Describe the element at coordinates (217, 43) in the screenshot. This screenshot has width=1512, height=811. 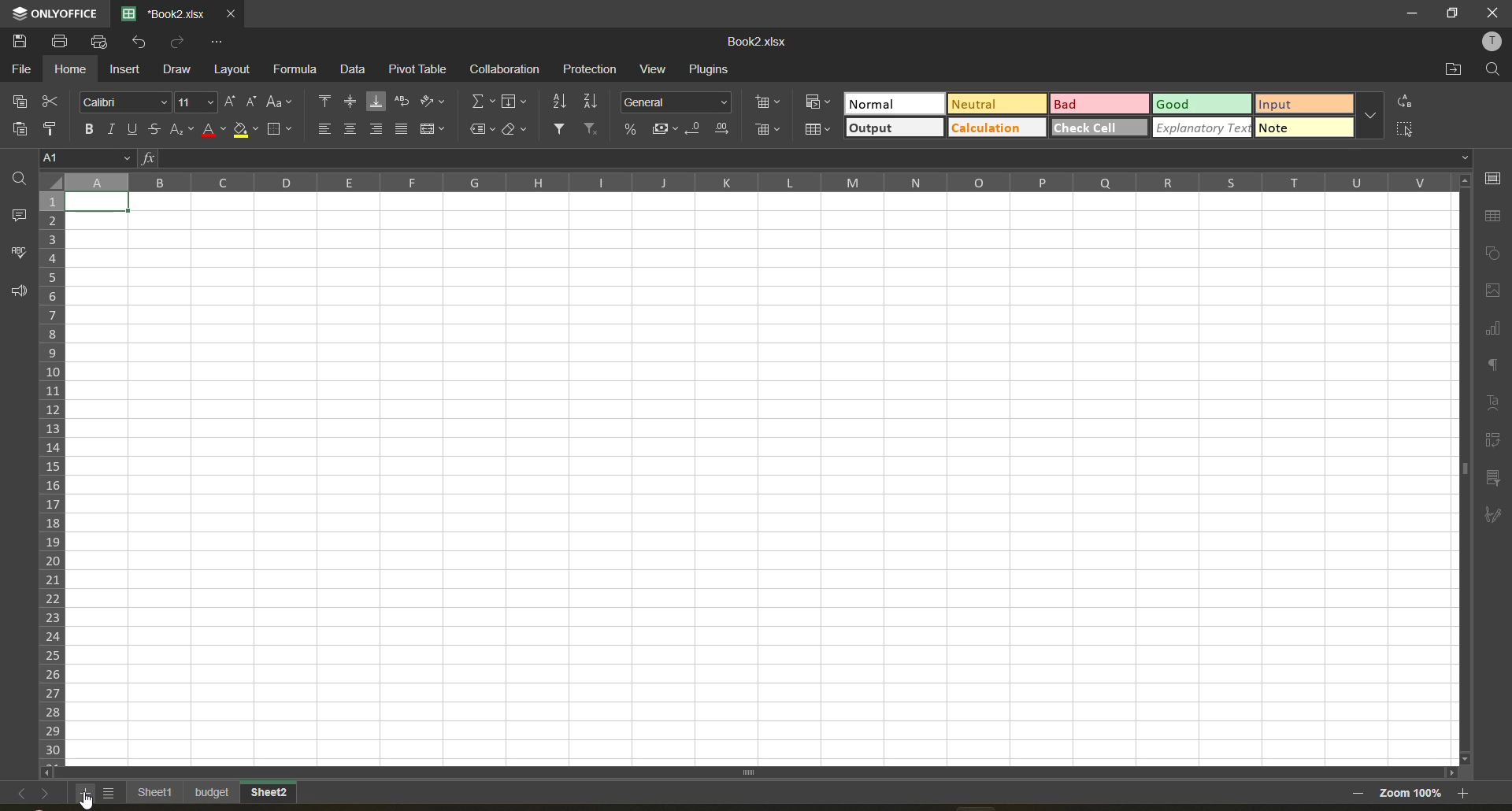
I see `customize quick access toolbar` at that location.